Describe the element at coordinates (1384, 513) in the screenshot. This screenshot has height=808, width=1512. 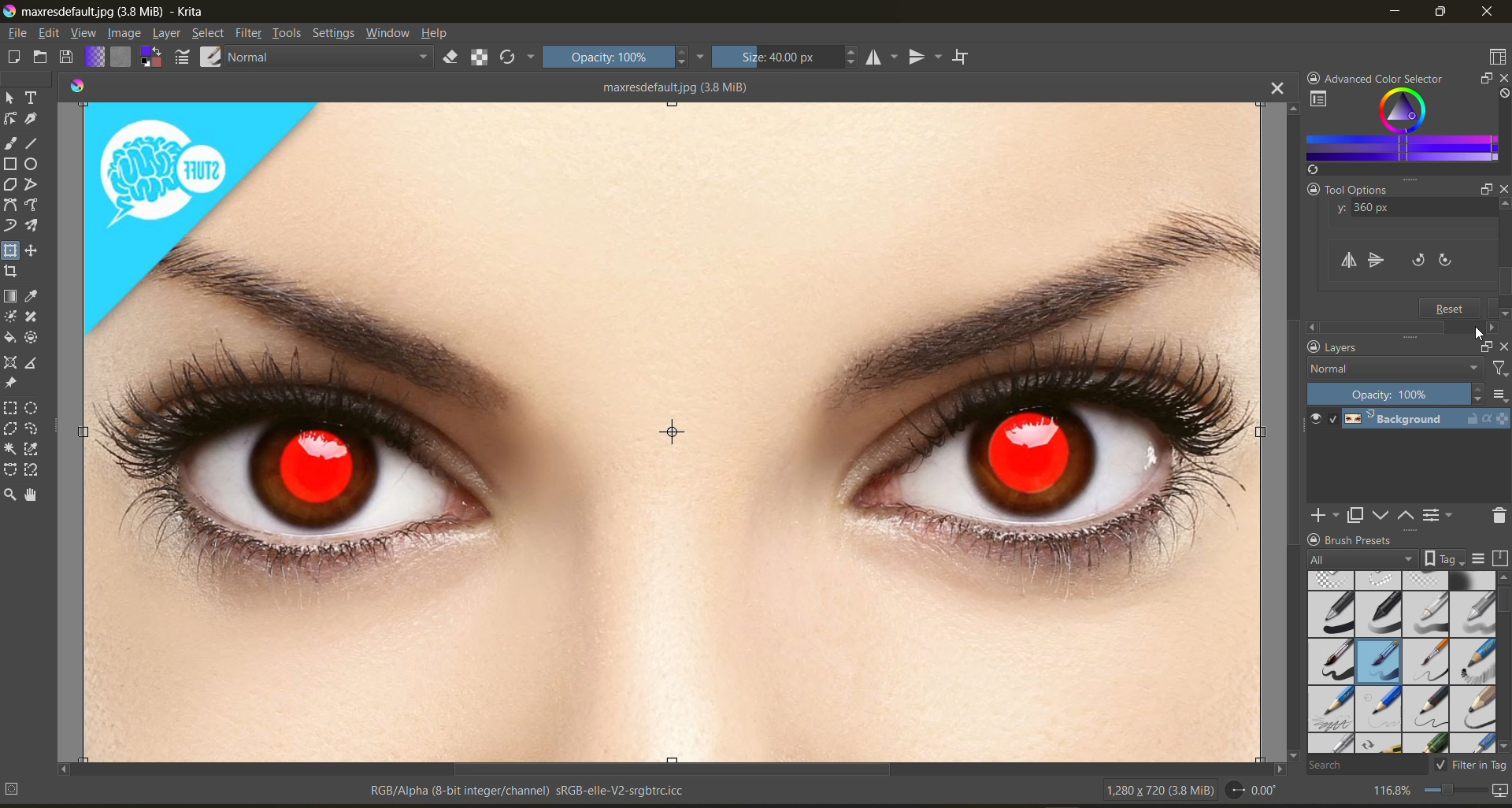
I see `mask down` at that location.